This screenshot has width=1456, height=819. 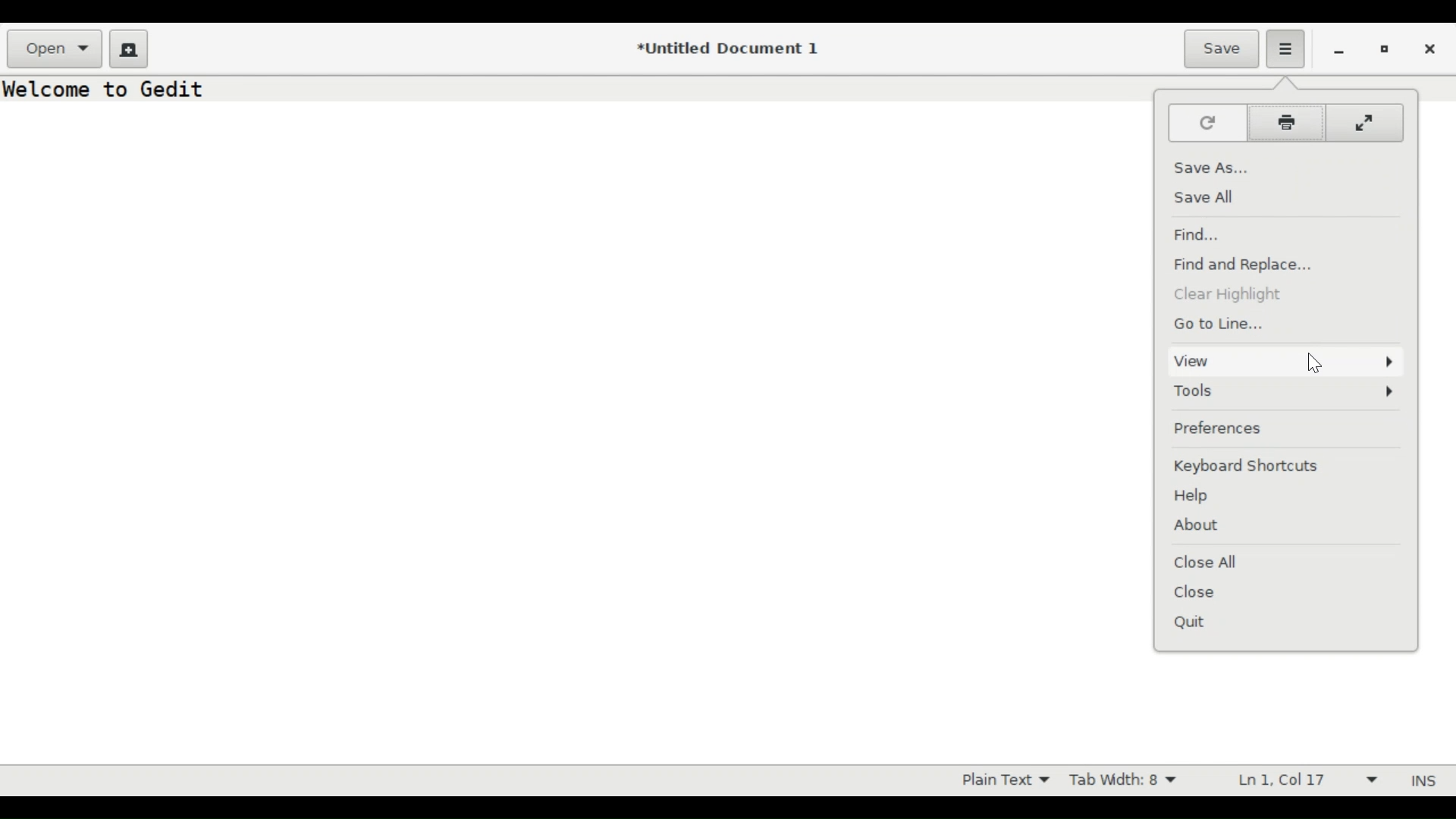 What do you see at coordinates (1220, 324) in the screenshot?
I see `Go to Line` at bounding box center [1220, 324].